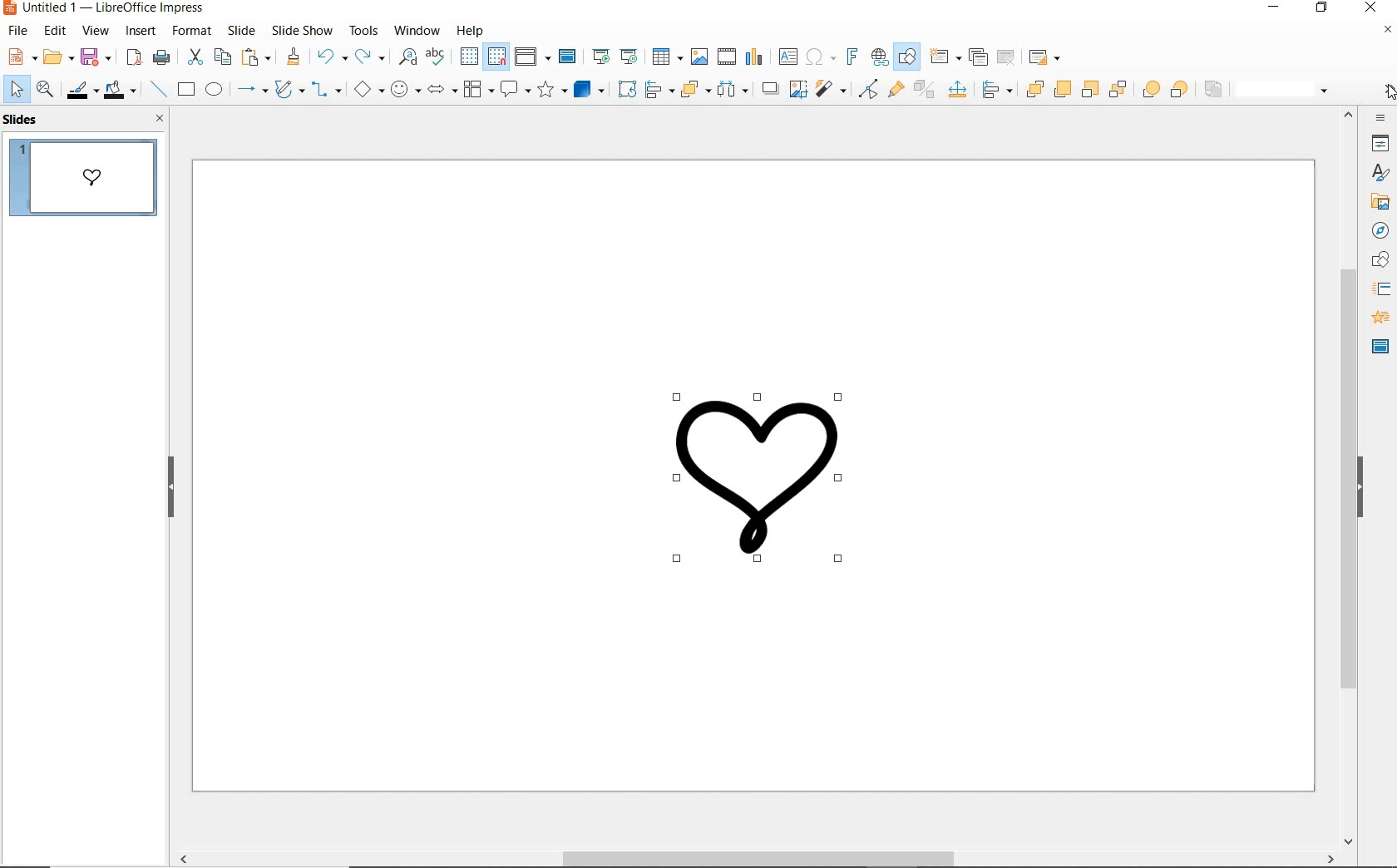  Describe the element at coordinates (515, 88) in the screenshot. I see `callout shapes` at that location.